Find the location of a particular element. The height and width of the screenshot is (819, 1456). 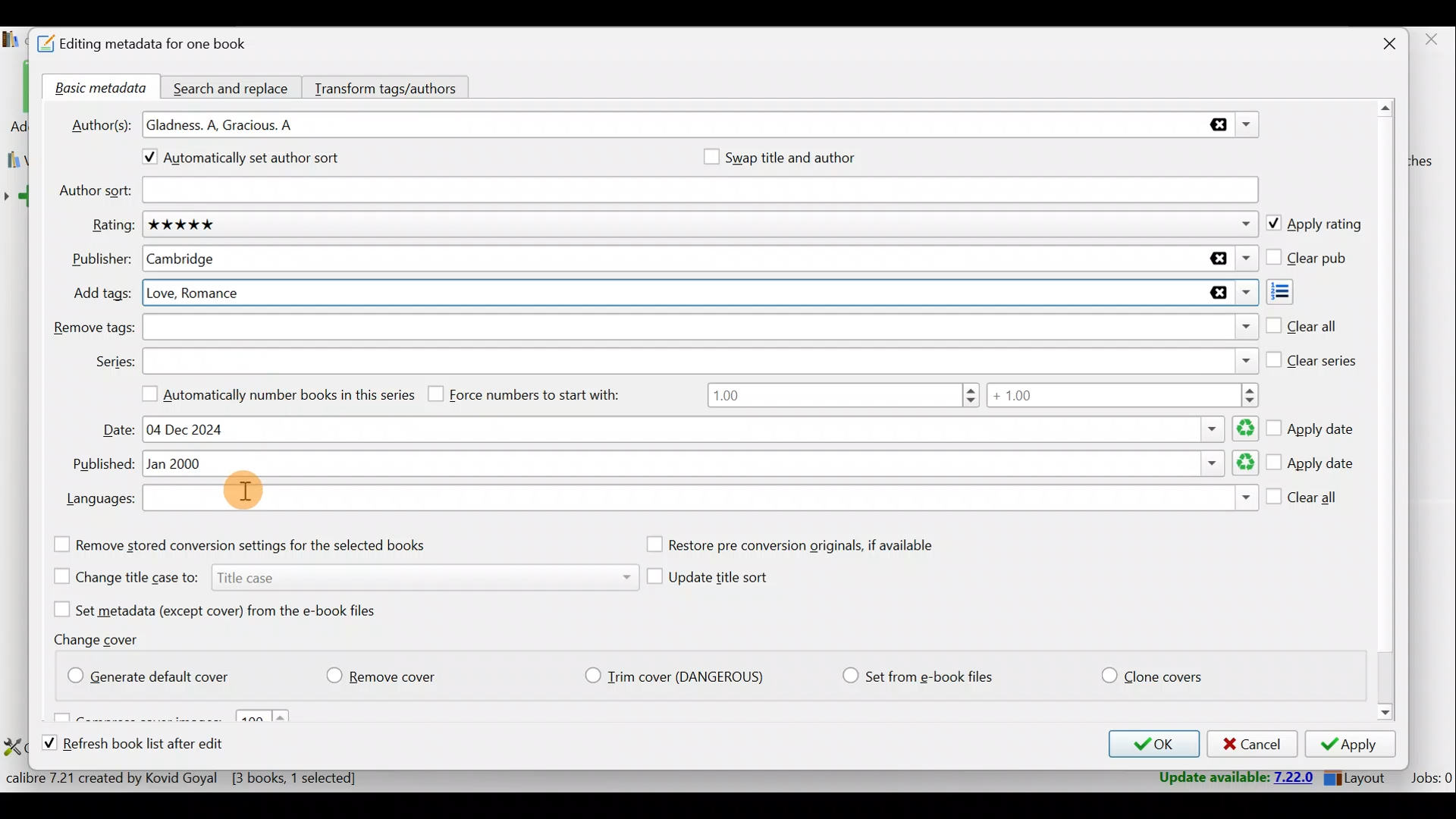

Statistics is located at coordinates (210, 777).